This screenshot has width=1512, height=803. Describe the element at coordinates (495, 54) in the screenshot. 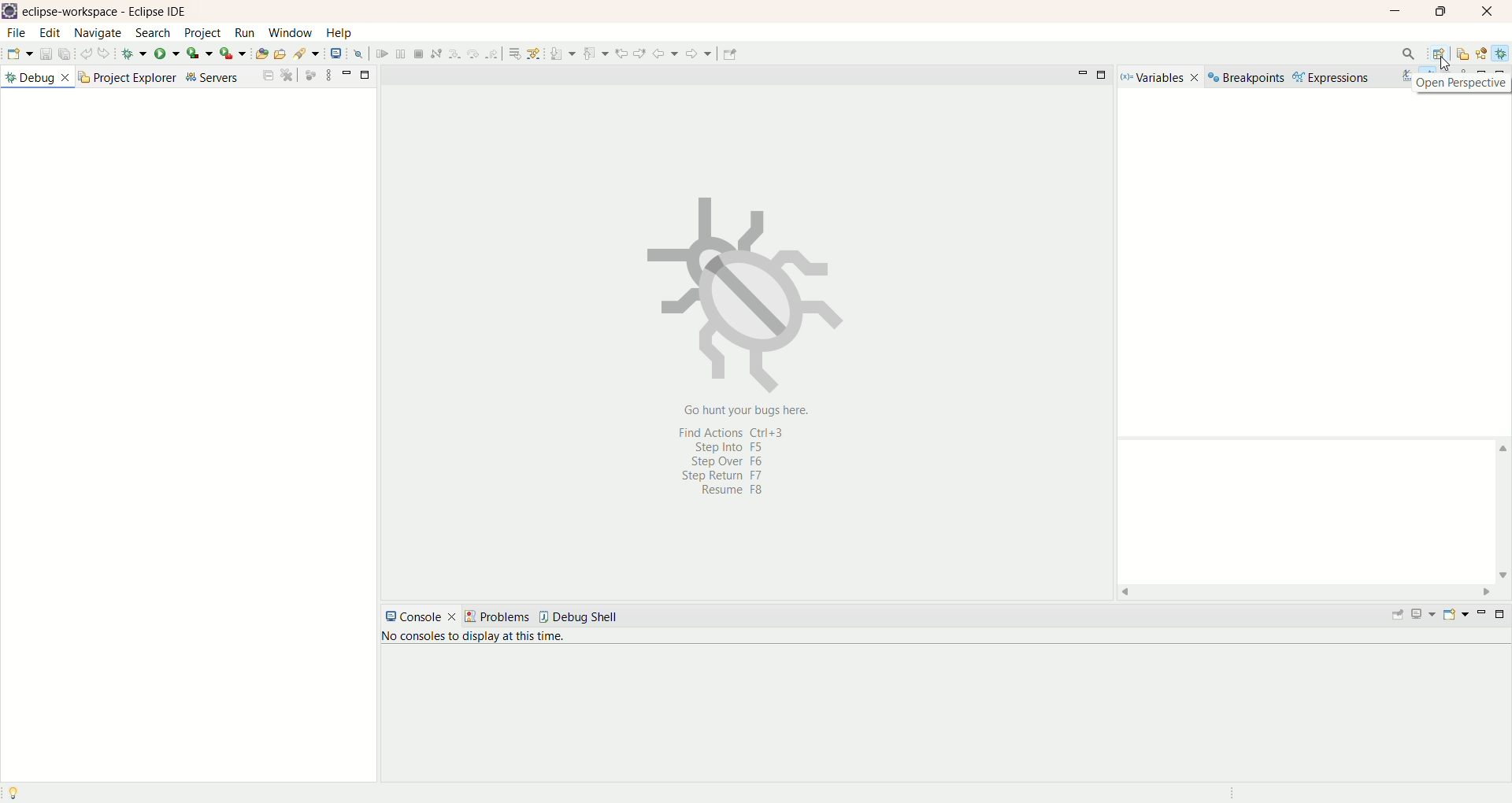

I see `resume` at that location.